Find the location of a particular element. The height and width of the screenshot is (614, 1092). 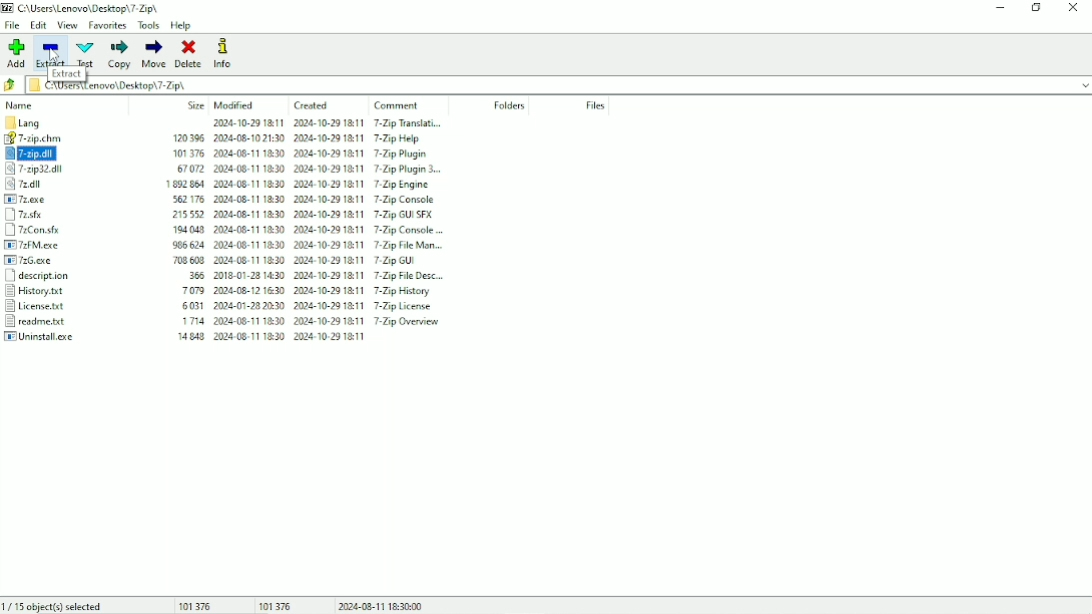

Lang is located at coordinates (55, 122).